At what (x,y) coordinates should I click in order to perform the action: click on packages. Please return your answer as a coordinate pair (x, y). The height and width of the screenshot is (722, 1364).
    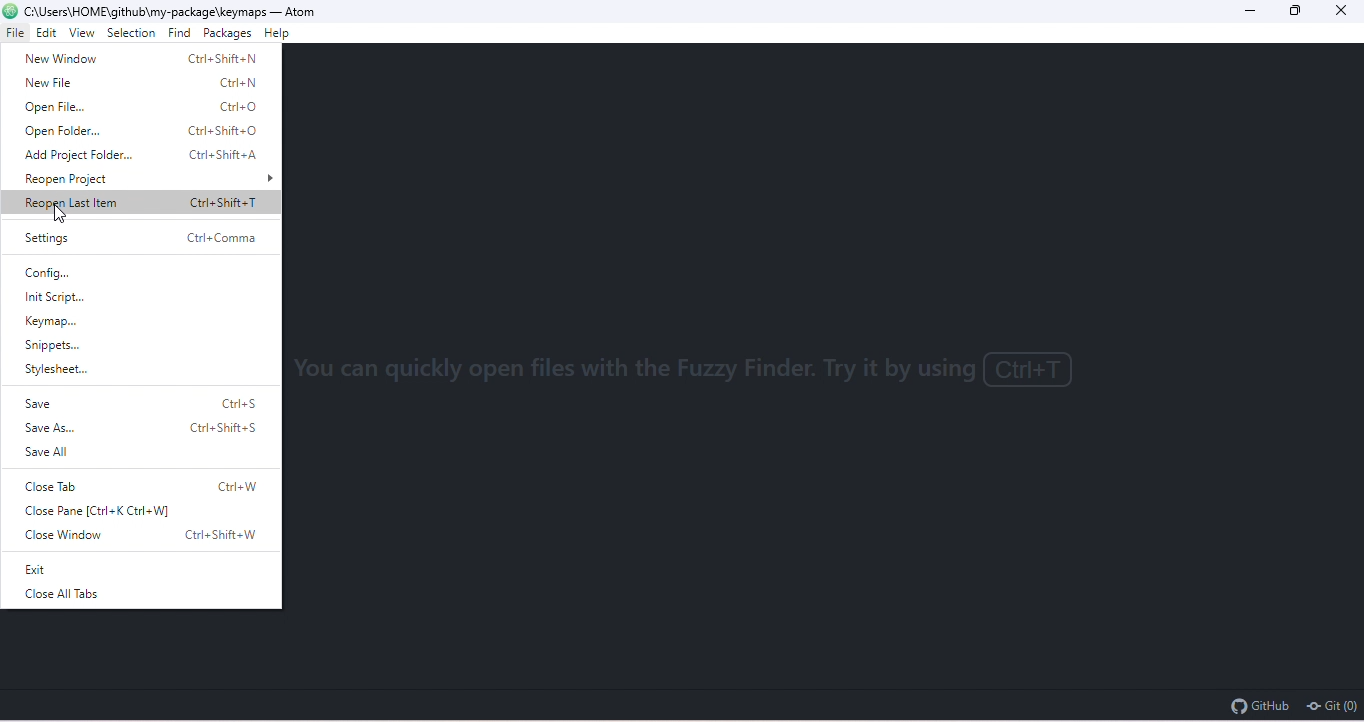
    Looking at the image, I should click on (229, 32).